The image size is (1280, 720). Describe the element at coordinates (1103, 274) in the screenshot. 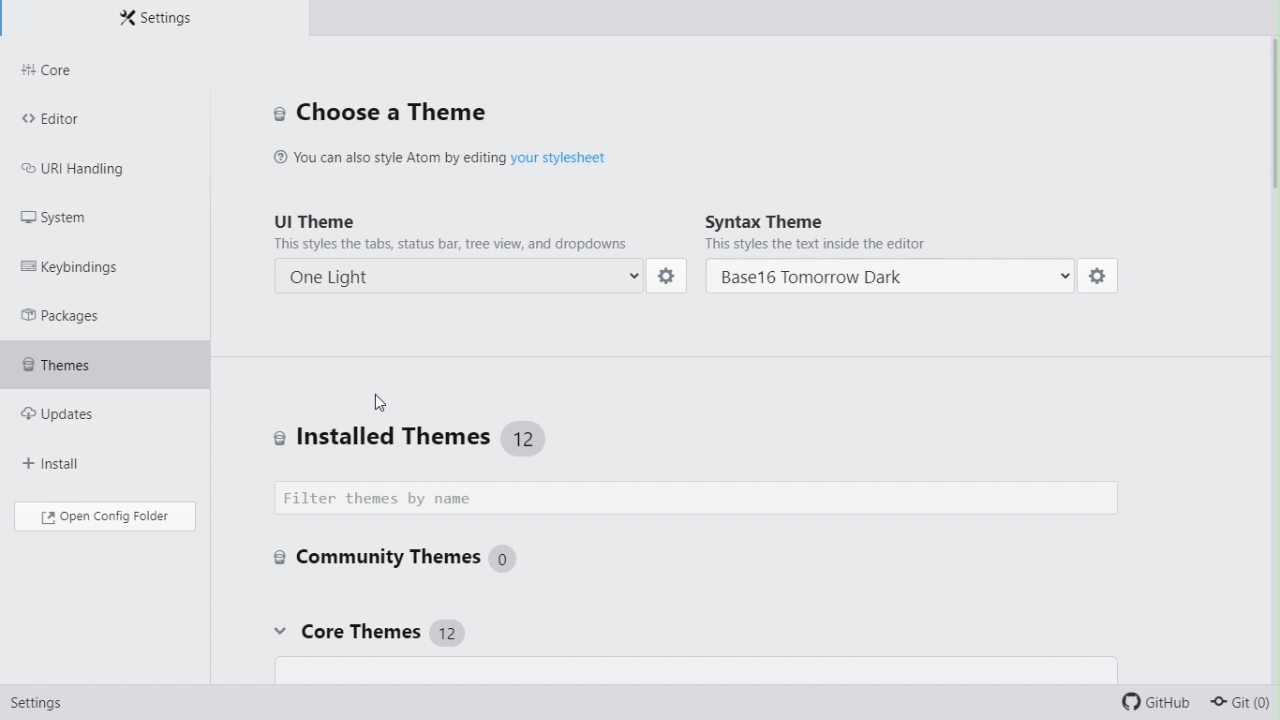

I see `settings` at that location.